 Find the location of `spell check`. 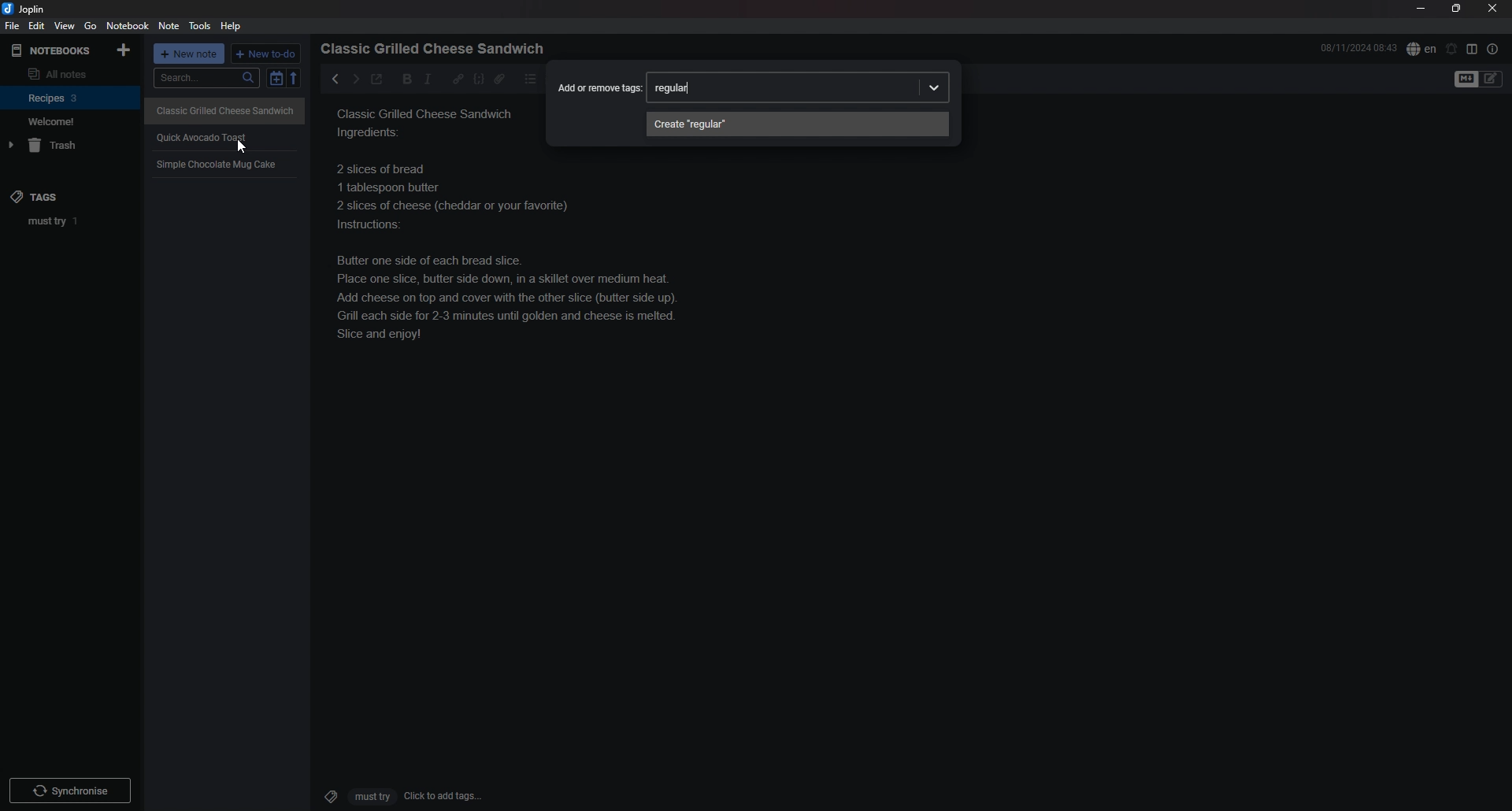

spell check is located at coordinates (1421, 48).